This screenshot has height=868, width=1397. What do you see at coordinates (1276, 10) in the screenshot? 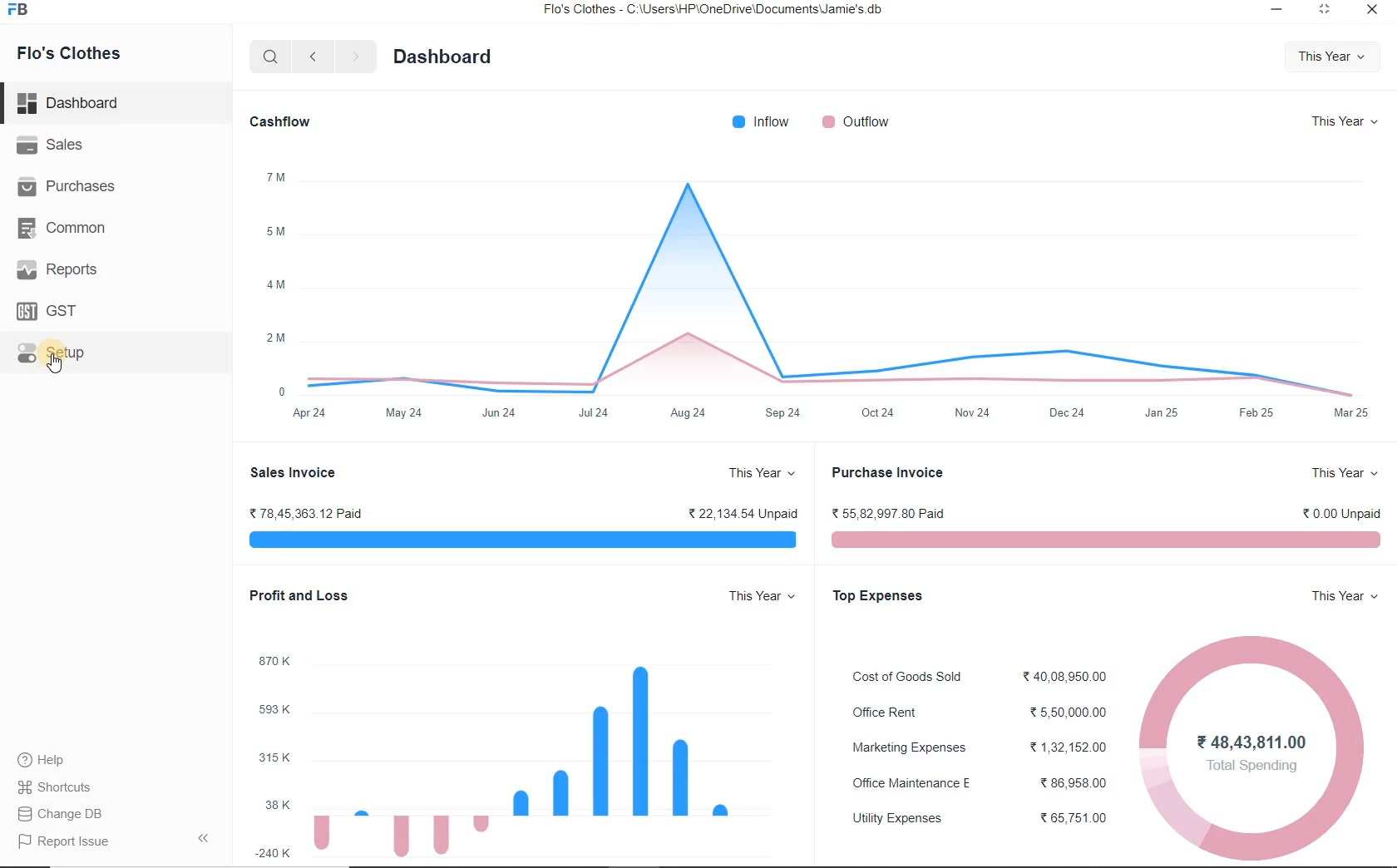
I see `Minimize` at bounding box center [1276, 10].